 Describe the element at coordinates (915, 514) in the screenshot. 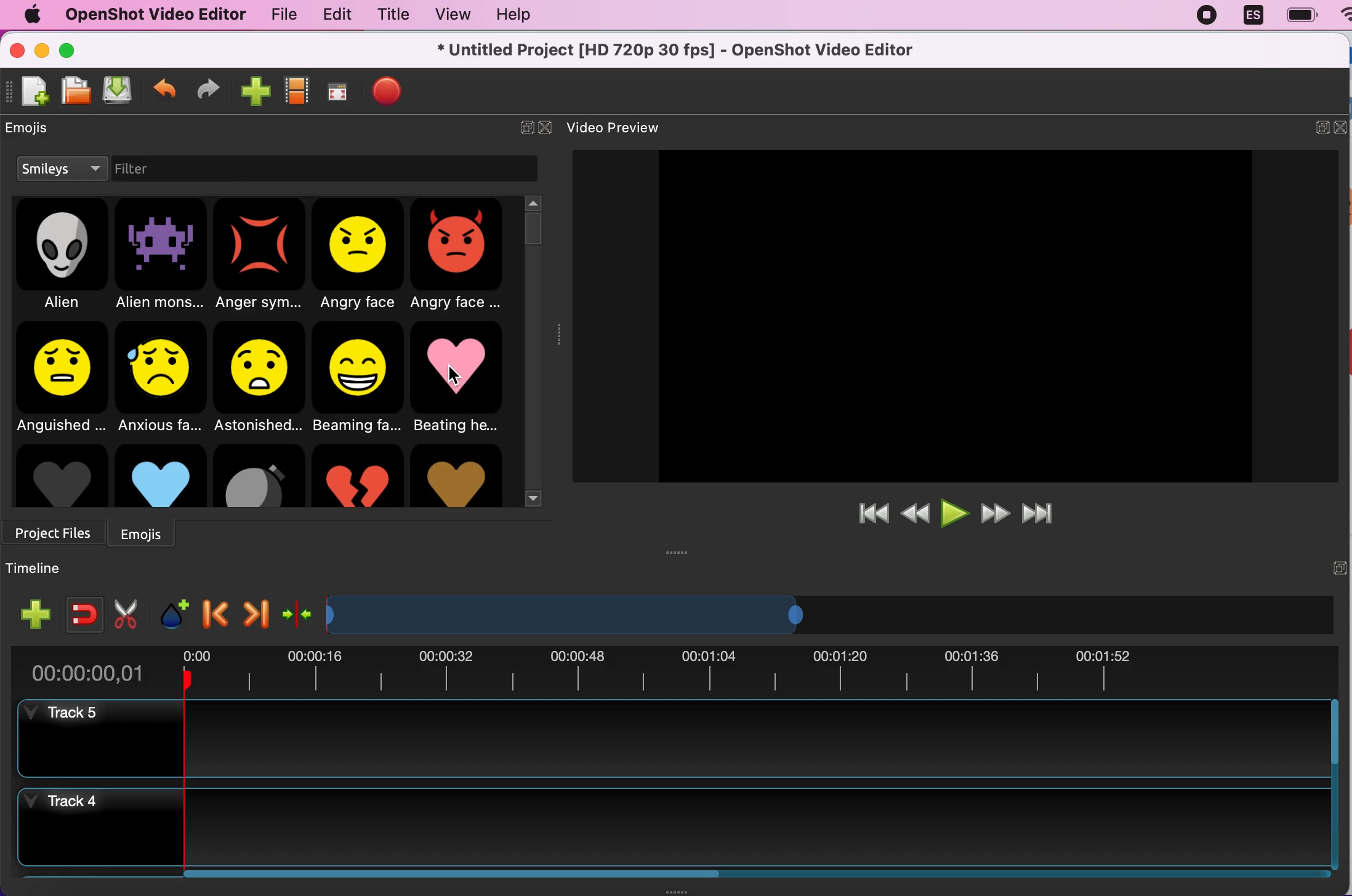

I see `rewind` at that location.